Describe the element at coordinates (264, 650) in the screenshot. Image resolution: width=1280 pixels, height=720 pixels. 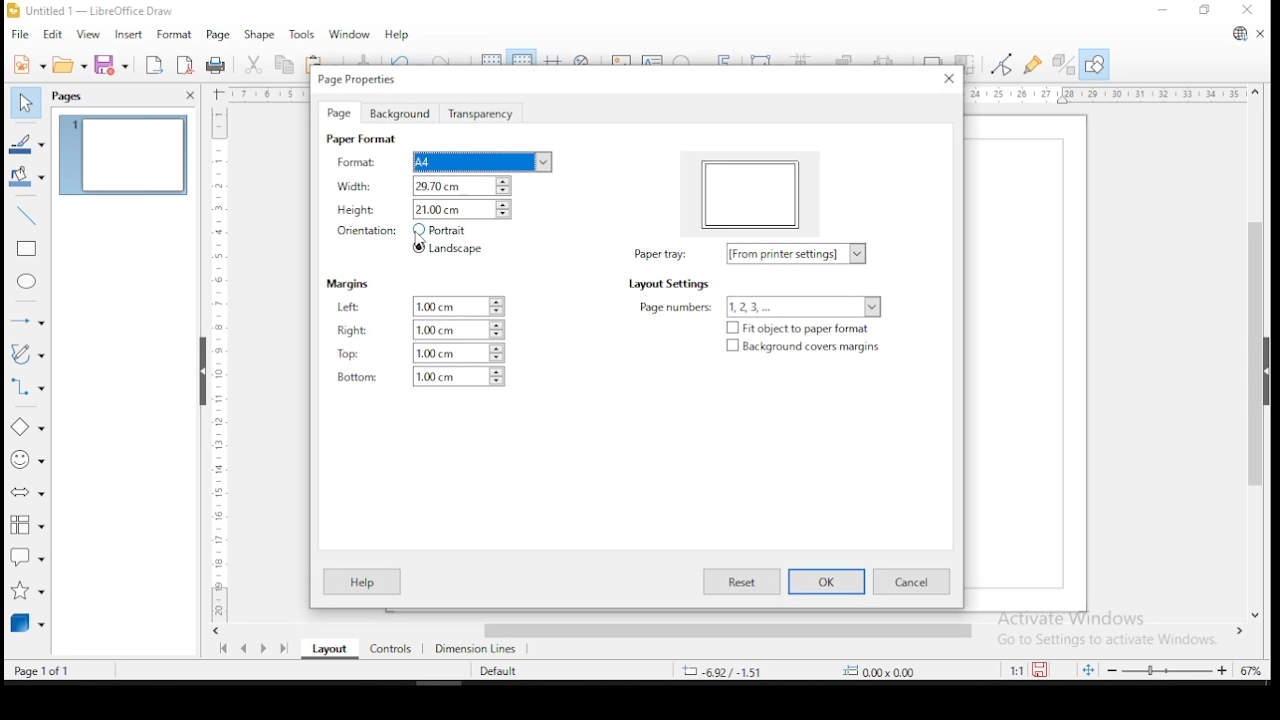
I see `next page` at that location.